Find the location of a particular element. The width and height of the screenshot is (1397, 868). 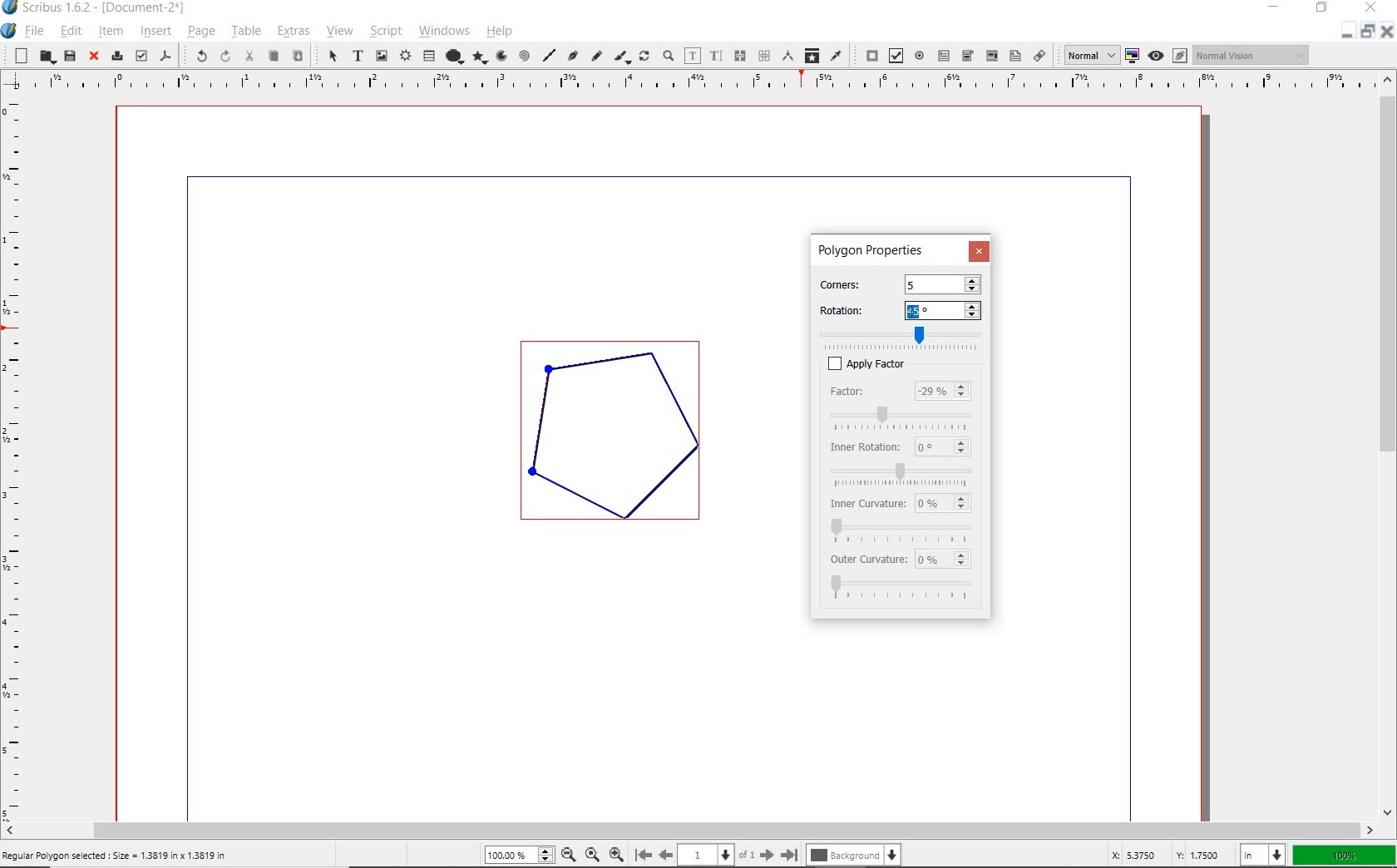

toggle color is located at coordinates (1133, 55).